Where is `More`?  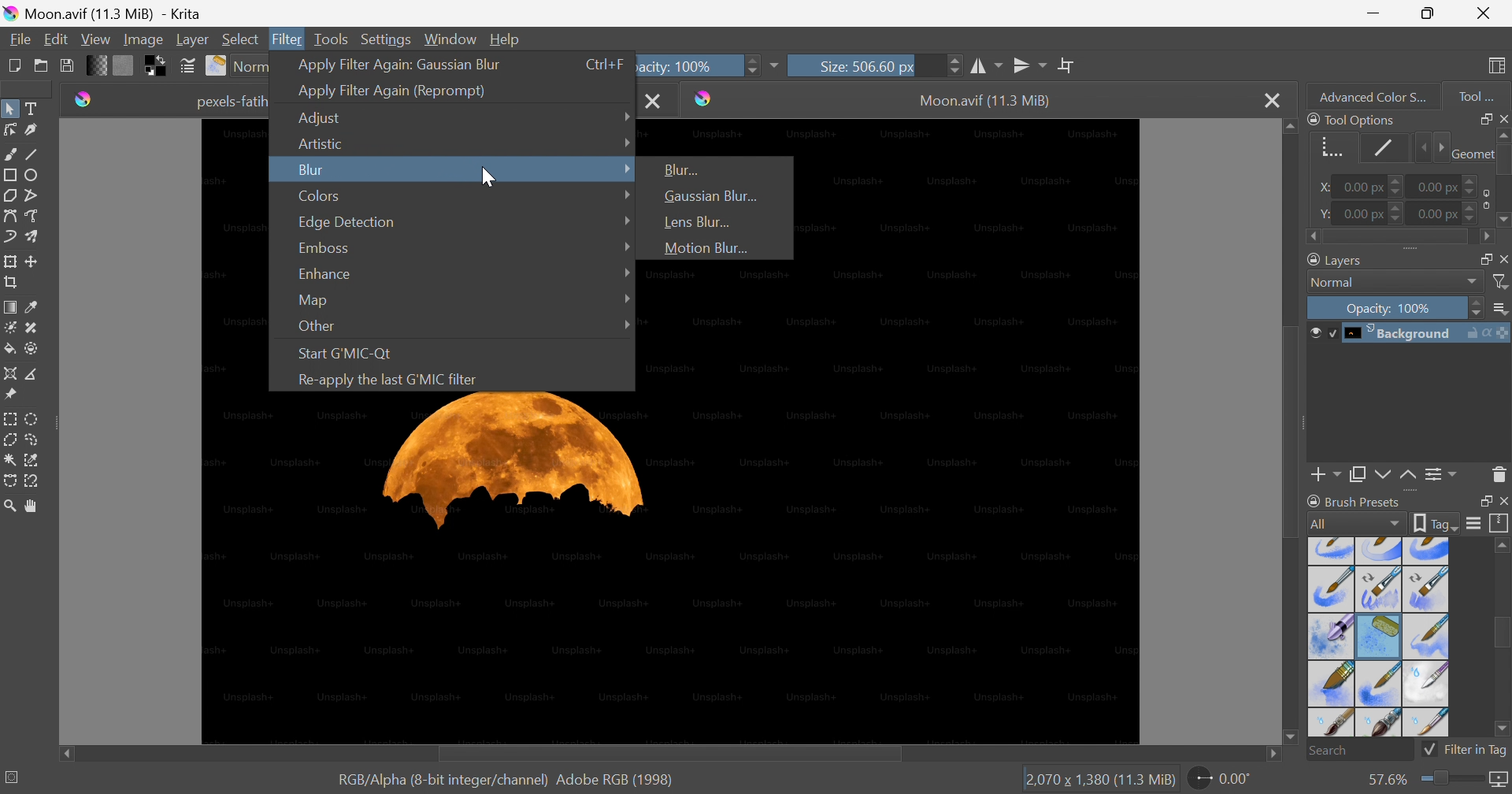
More is located at coordinates (773, 68).